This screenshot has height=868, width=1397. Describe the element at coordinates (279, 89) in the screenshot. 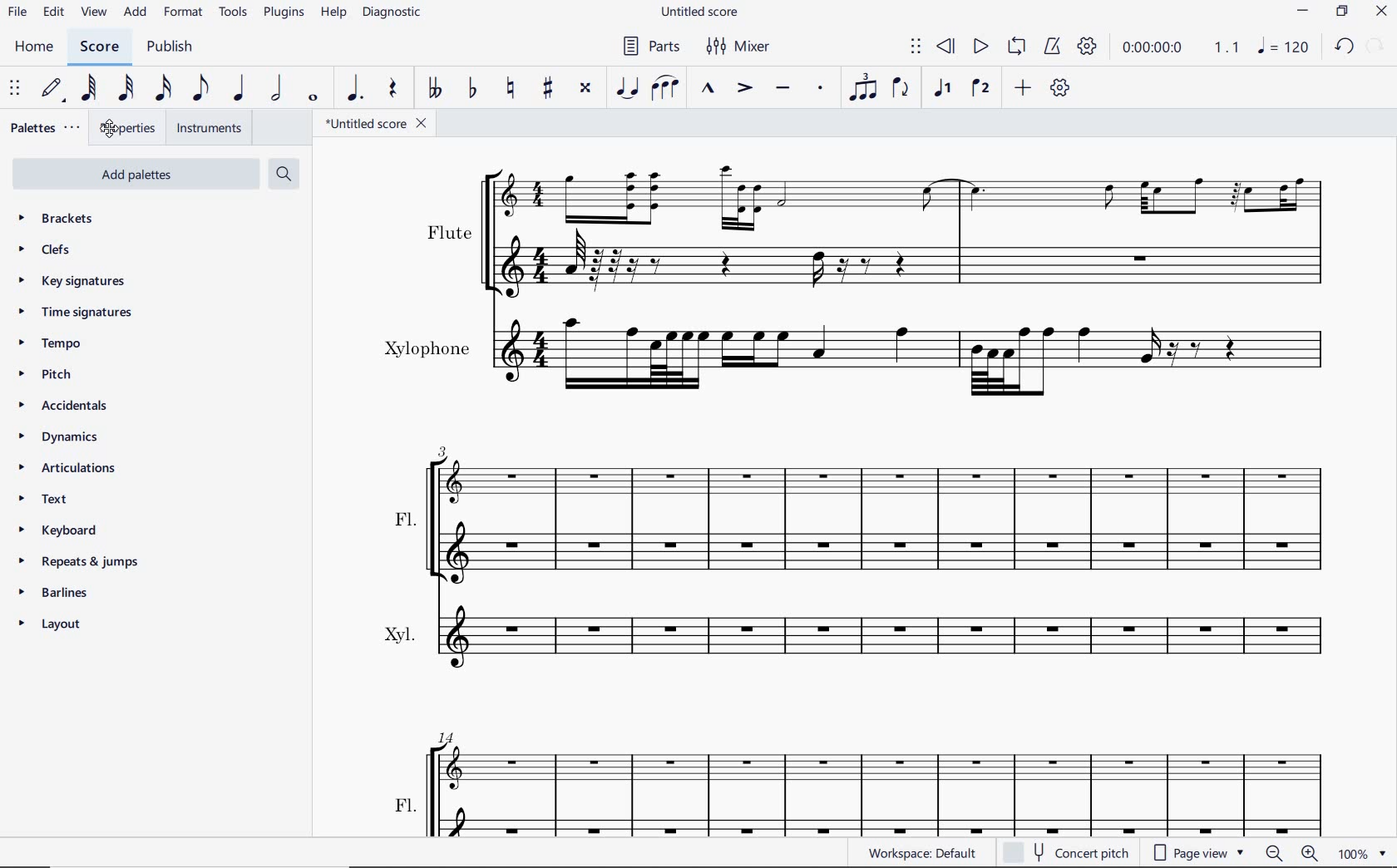

I see `HALF NOTE` at that location.